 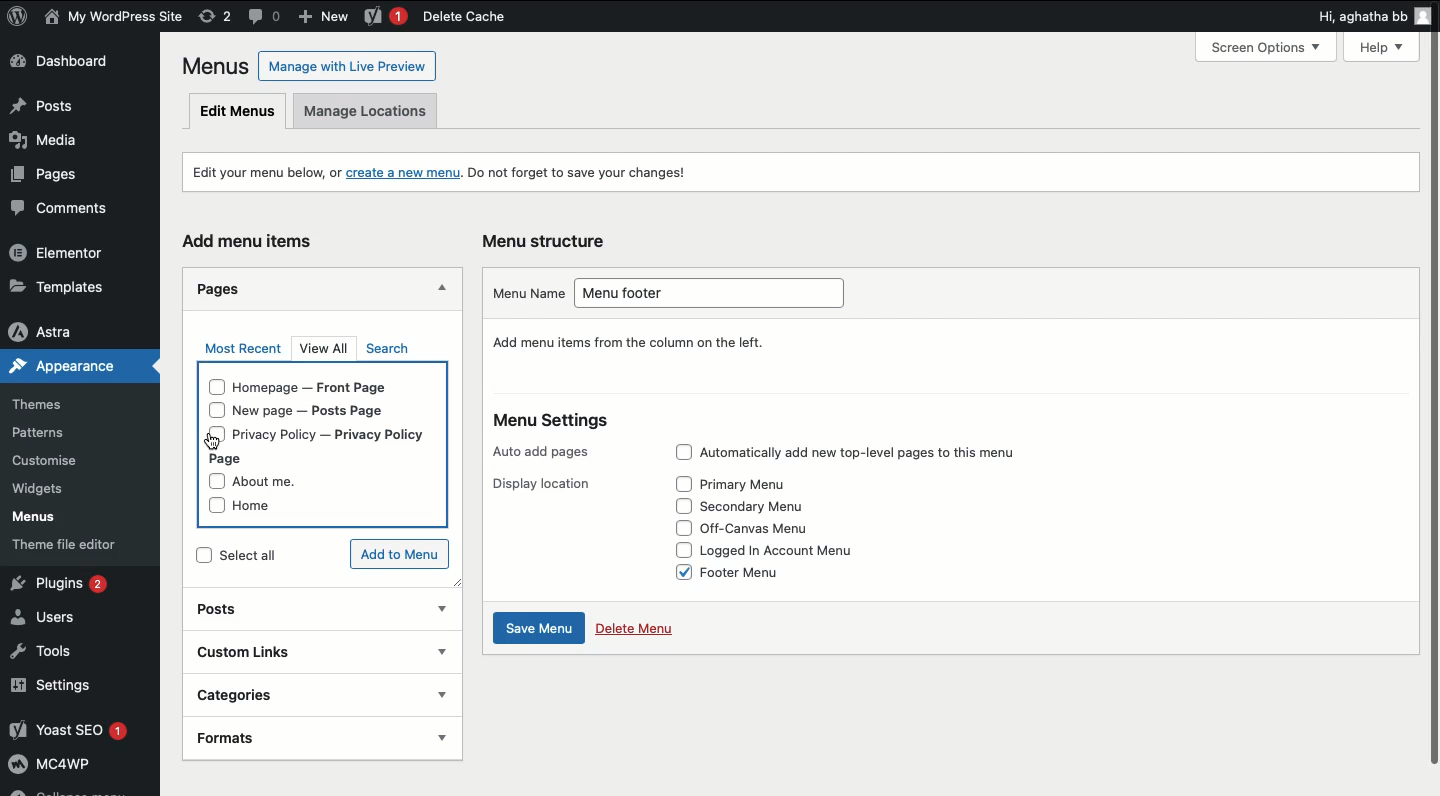 What do you see at coordinates (48, 519) in the screenshot?
I see `Menus` at bounding box center [48, 519].